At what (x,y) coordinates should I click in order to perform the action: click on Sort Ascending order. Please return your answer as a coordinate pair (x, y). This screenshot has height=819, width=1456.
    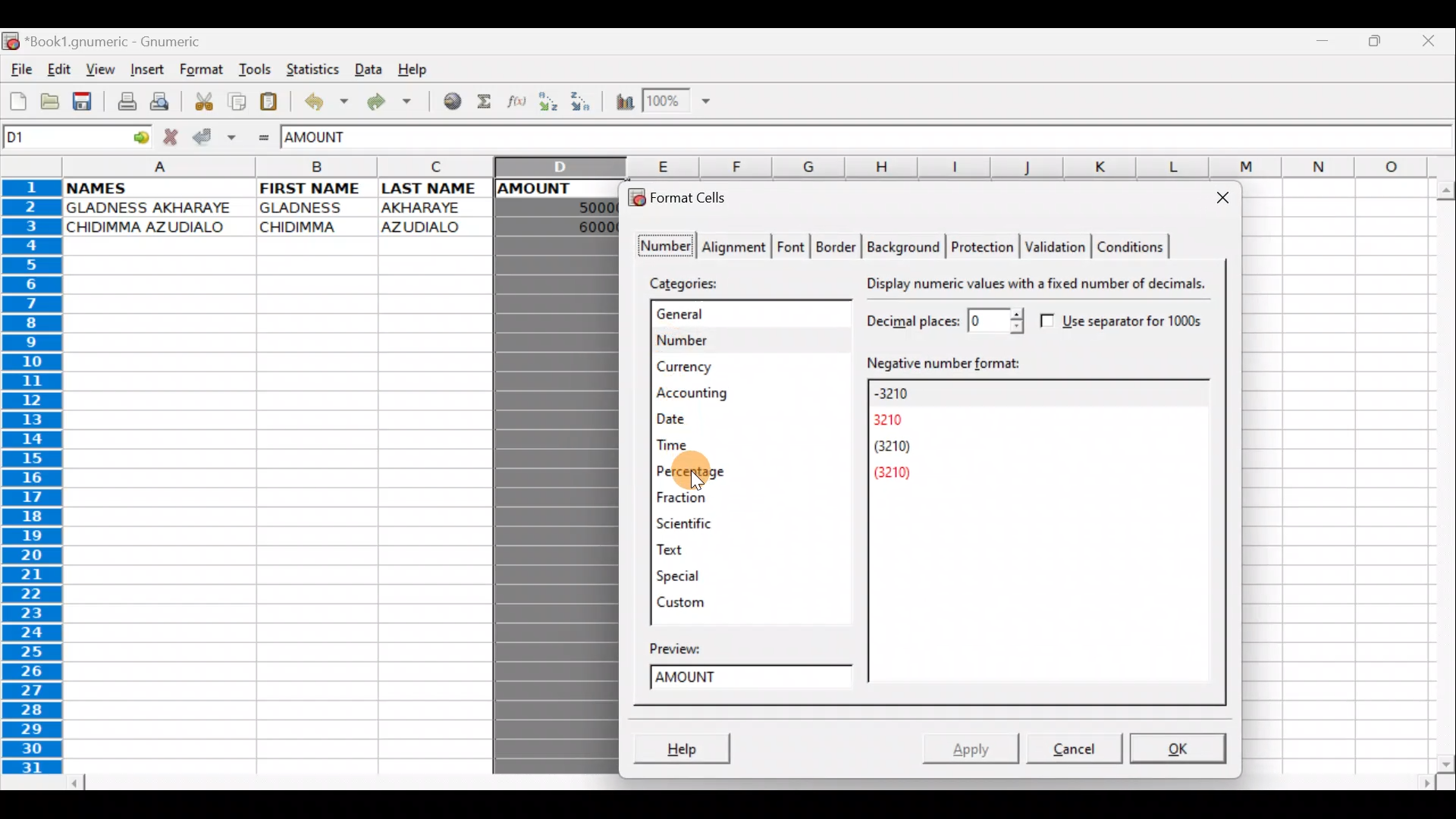
    Looking at the image, I should click on (550, 102).